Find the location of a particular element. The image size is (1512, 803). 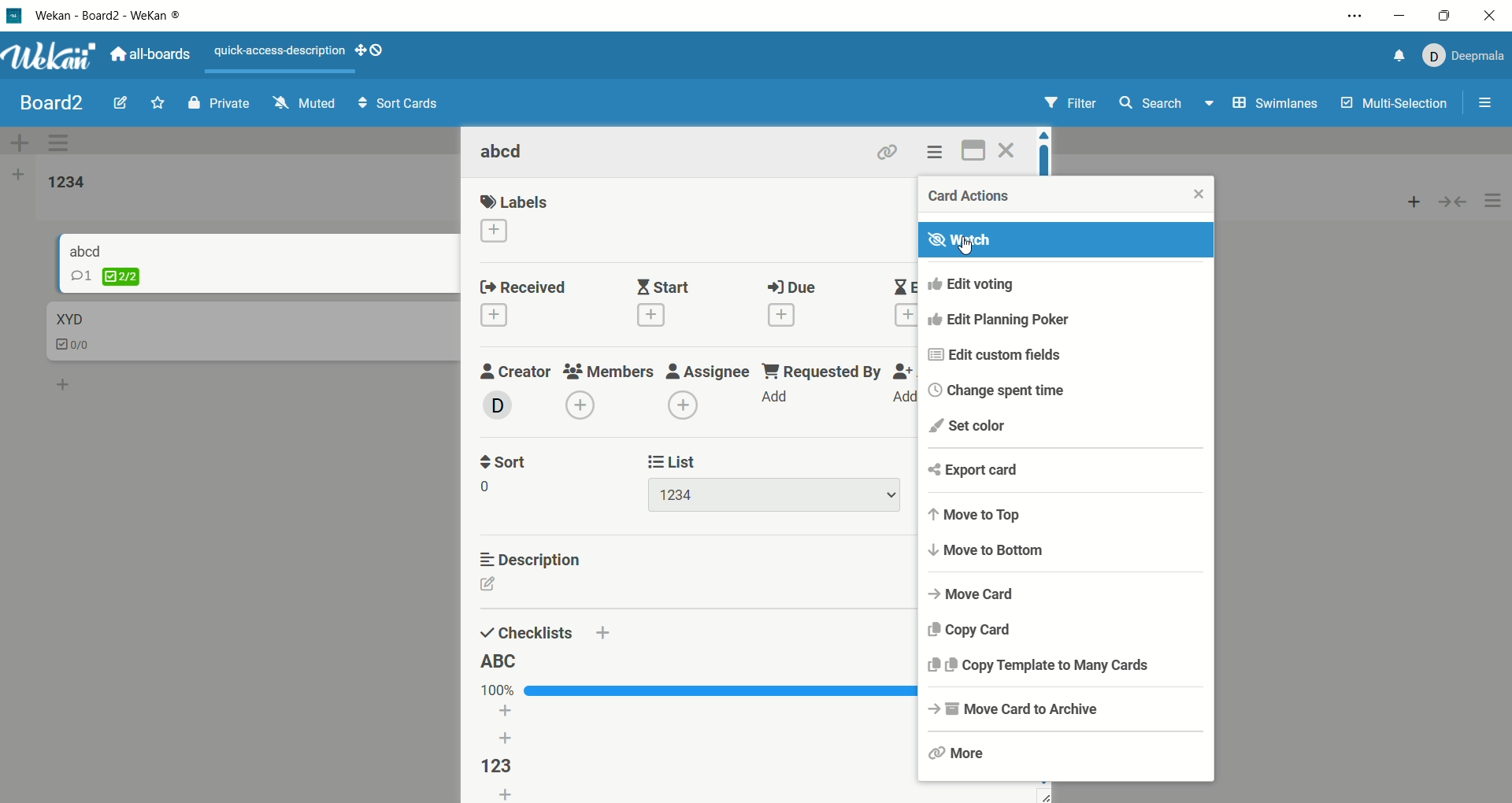

card title is located at coordinates (69, 318).